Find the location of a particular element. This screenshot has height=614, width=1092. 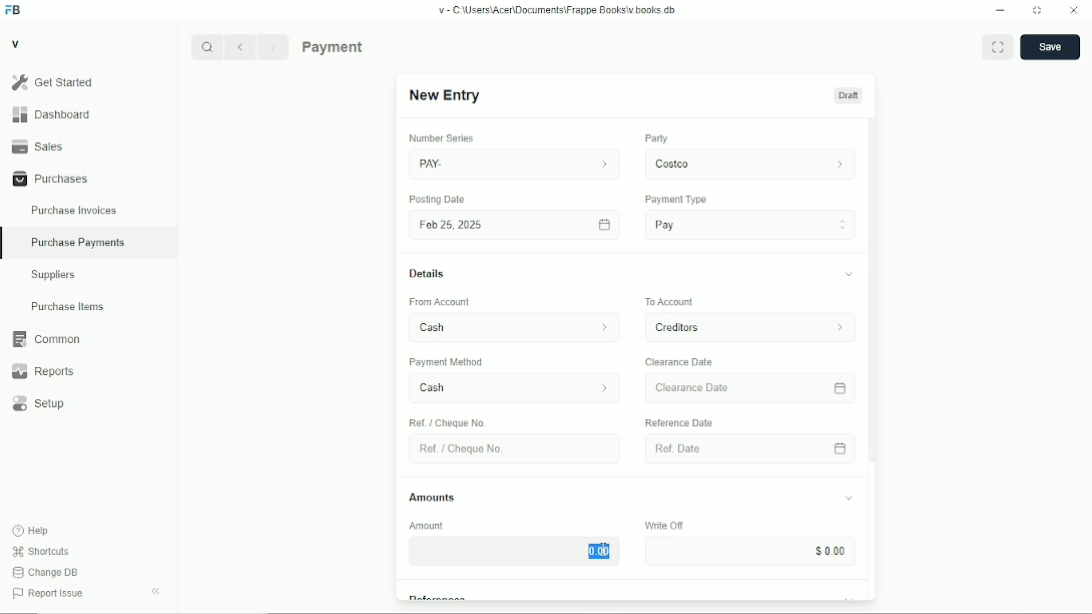

Next is located at coordinates (274, 47).